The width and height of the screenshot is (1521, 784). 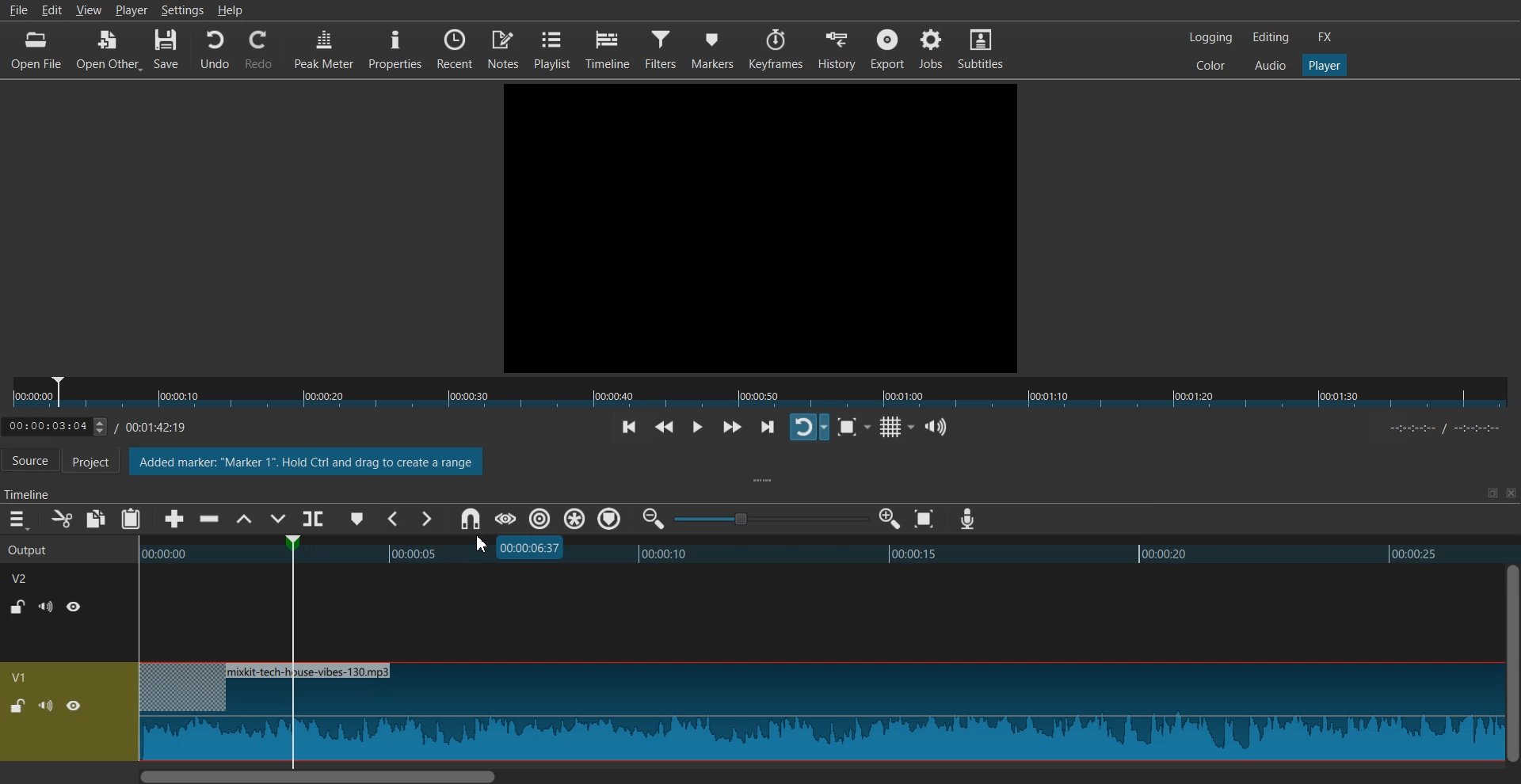 What do you see at coordinates (167, 50) in the screenshot?
I see `Save` at bounding box center [167, 50].